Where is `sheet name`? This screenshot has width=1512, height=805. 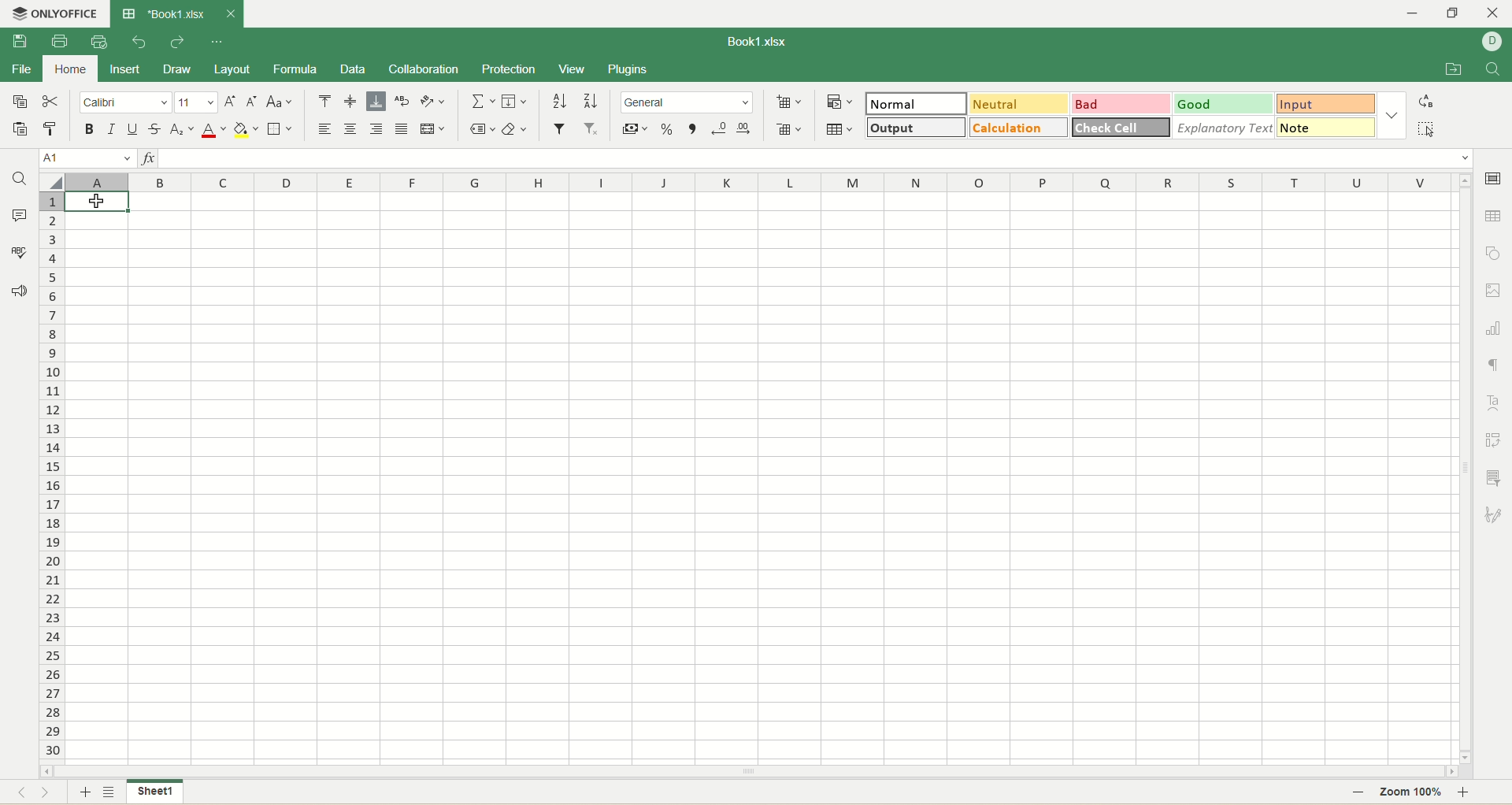
sheet name is located at coordinates (154, 792).